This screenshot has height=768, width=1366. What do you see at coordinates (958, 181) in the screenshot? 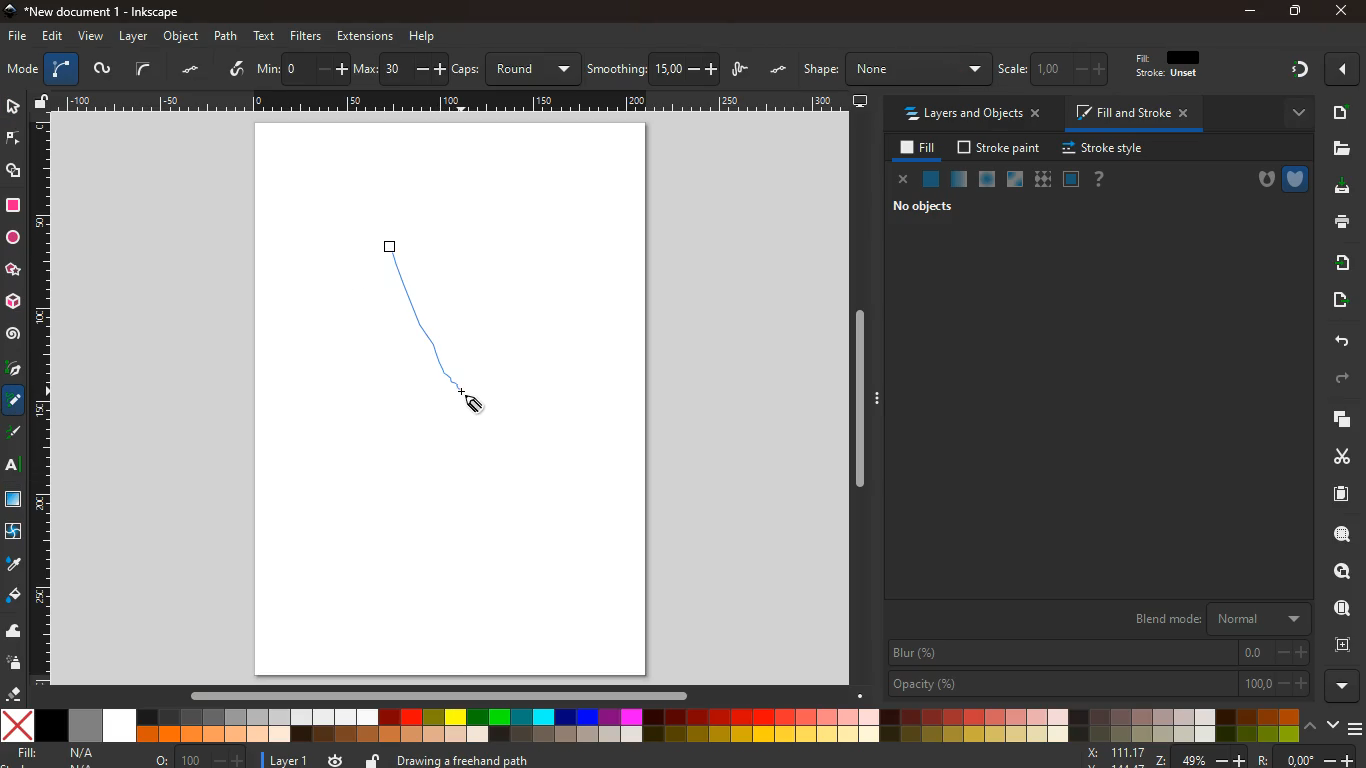
I see `glass` at bounding box center [958, 181].